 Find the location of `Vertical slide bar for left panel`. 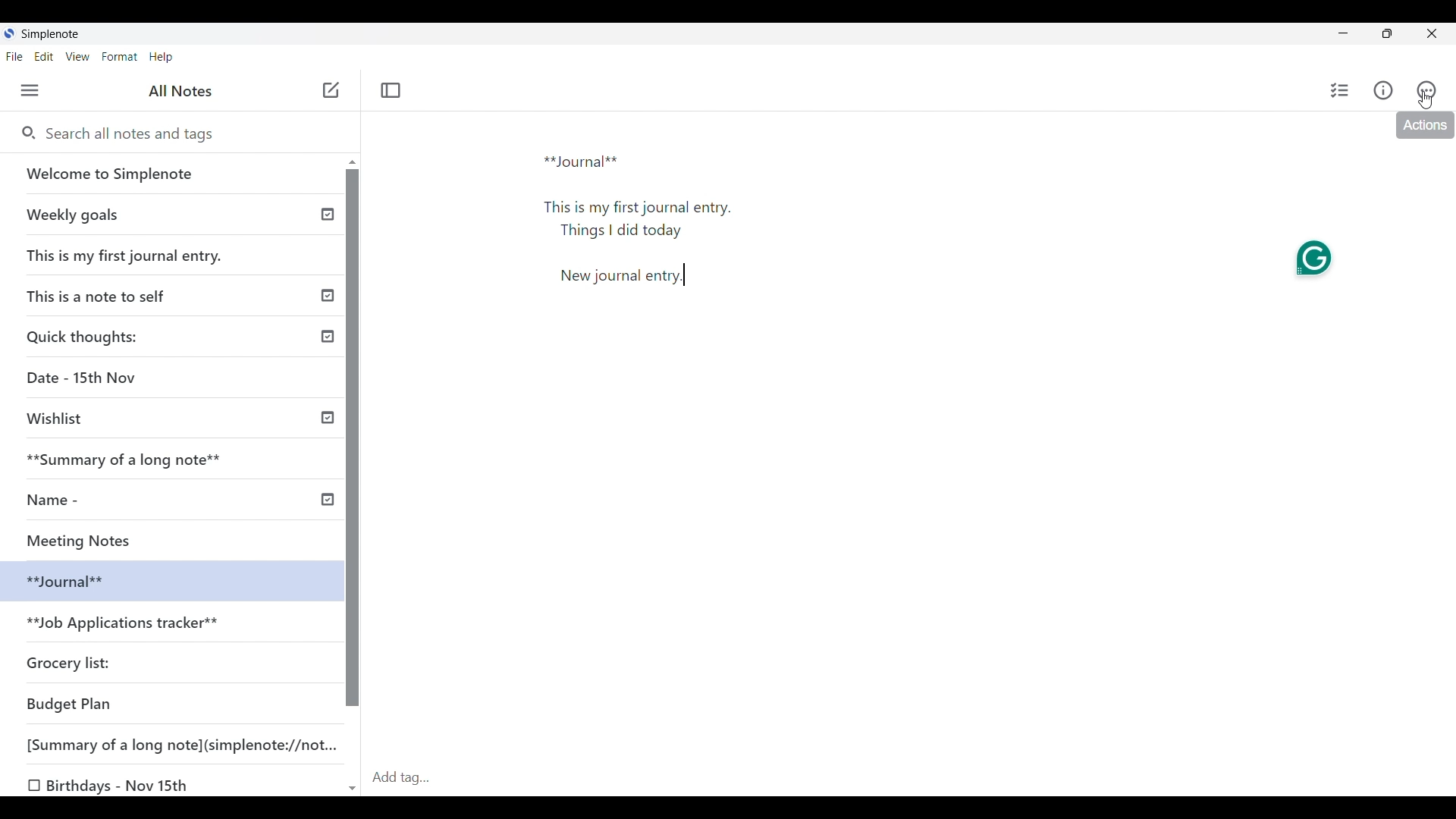

Vertical slide bar for left panel is located at coordinates (353, 438).